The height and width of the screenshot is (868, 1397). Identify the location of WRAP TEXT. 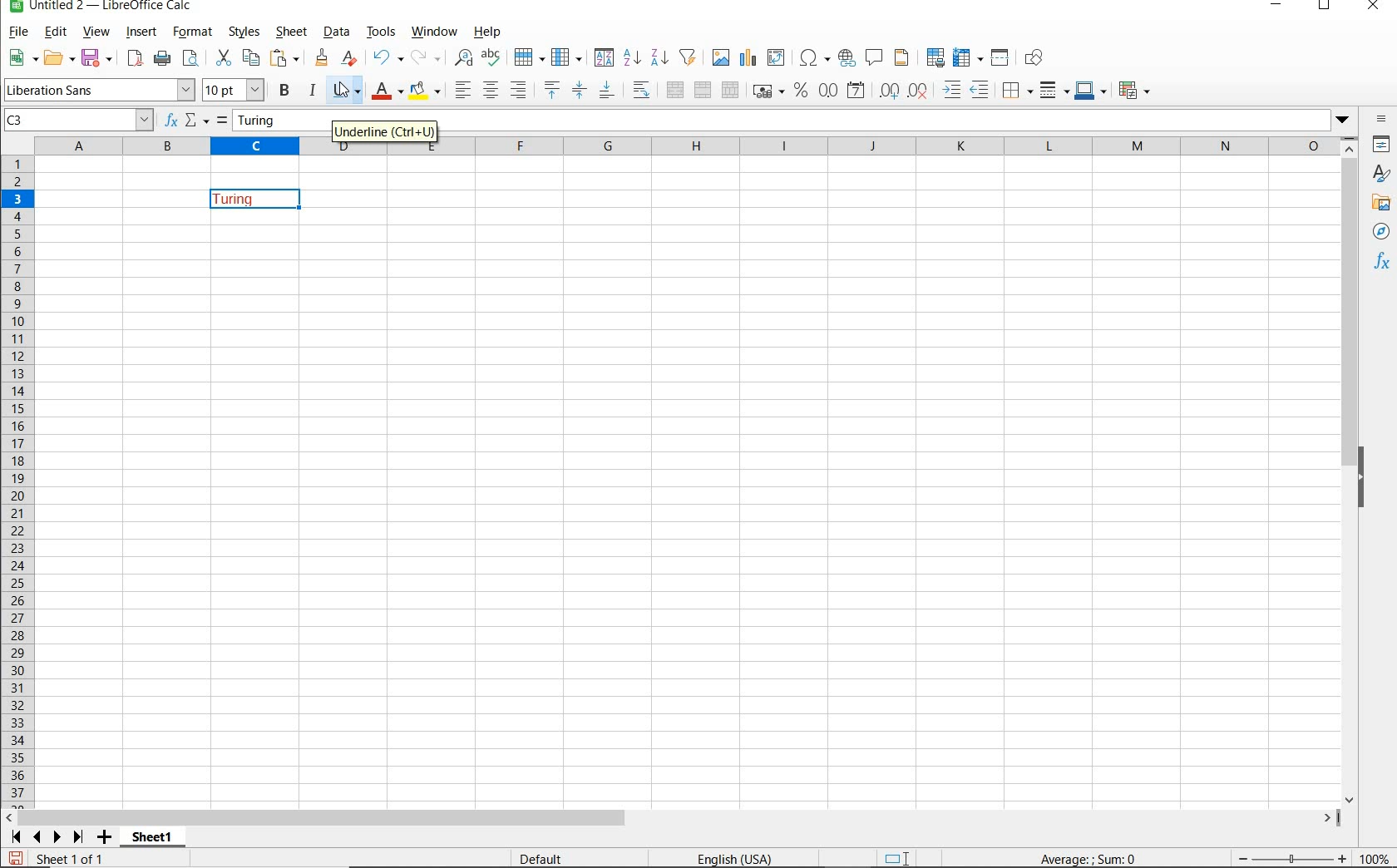
(642, 91).